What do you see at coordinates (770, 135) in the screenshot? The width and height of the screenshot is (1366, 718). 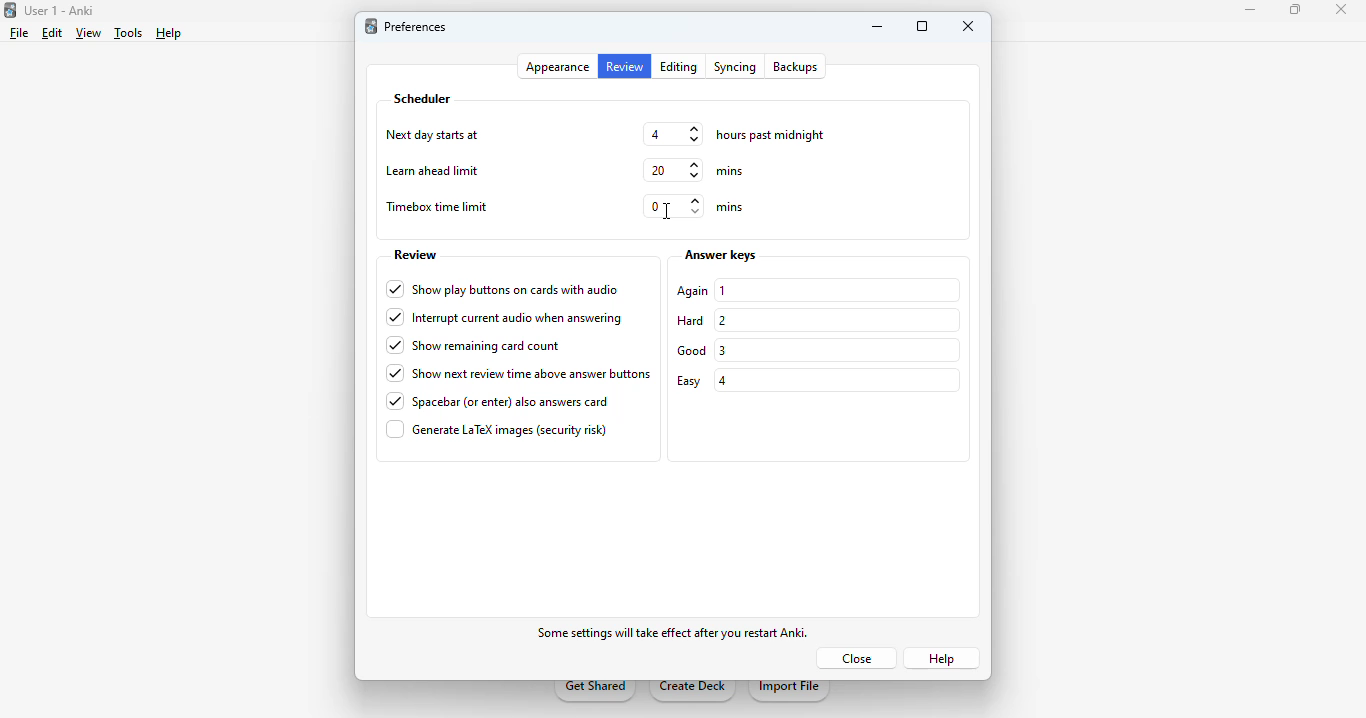 I see `hours past midnight` at bounding box center [770, 135].